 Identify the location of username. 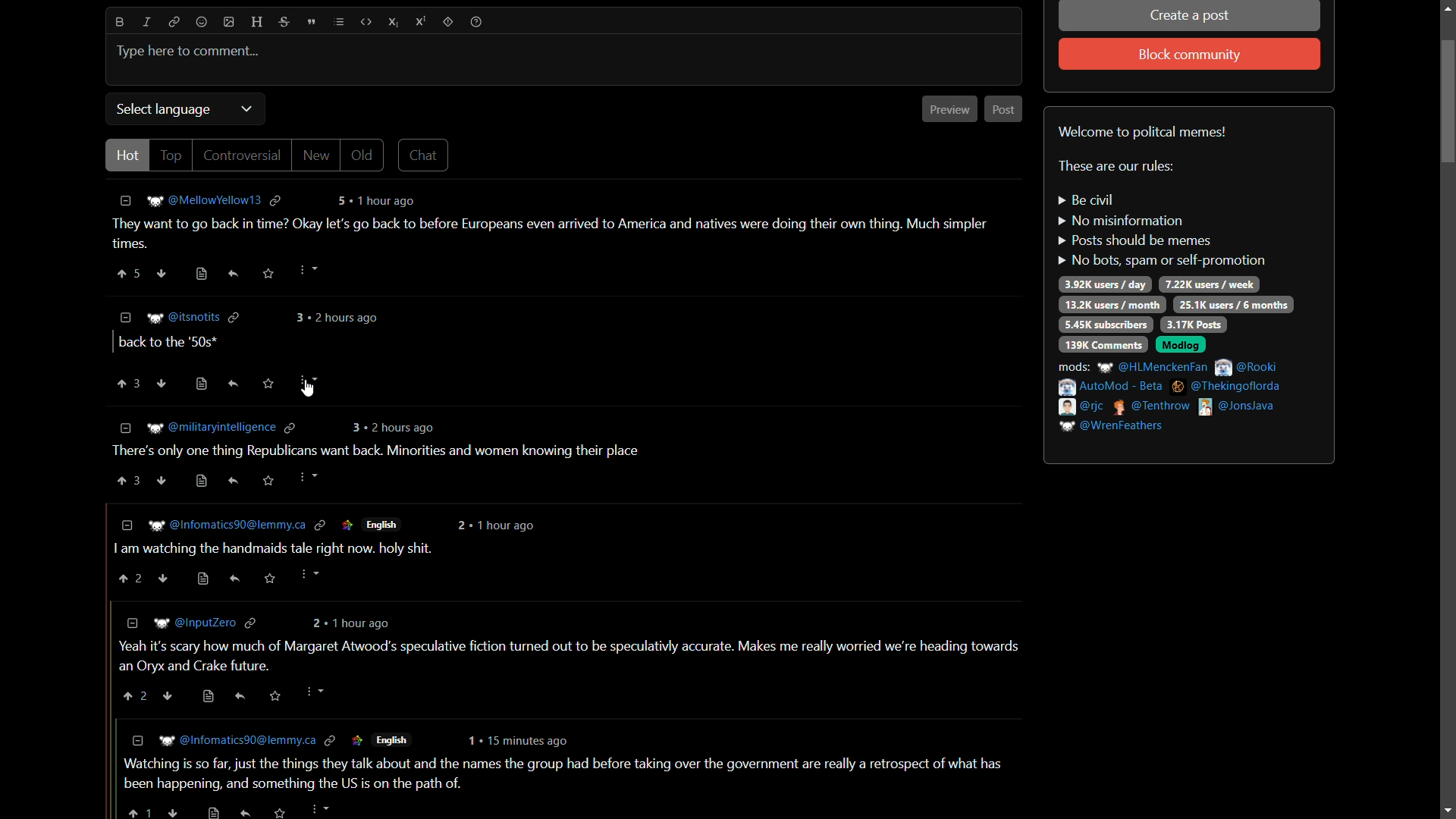
(193, 318).